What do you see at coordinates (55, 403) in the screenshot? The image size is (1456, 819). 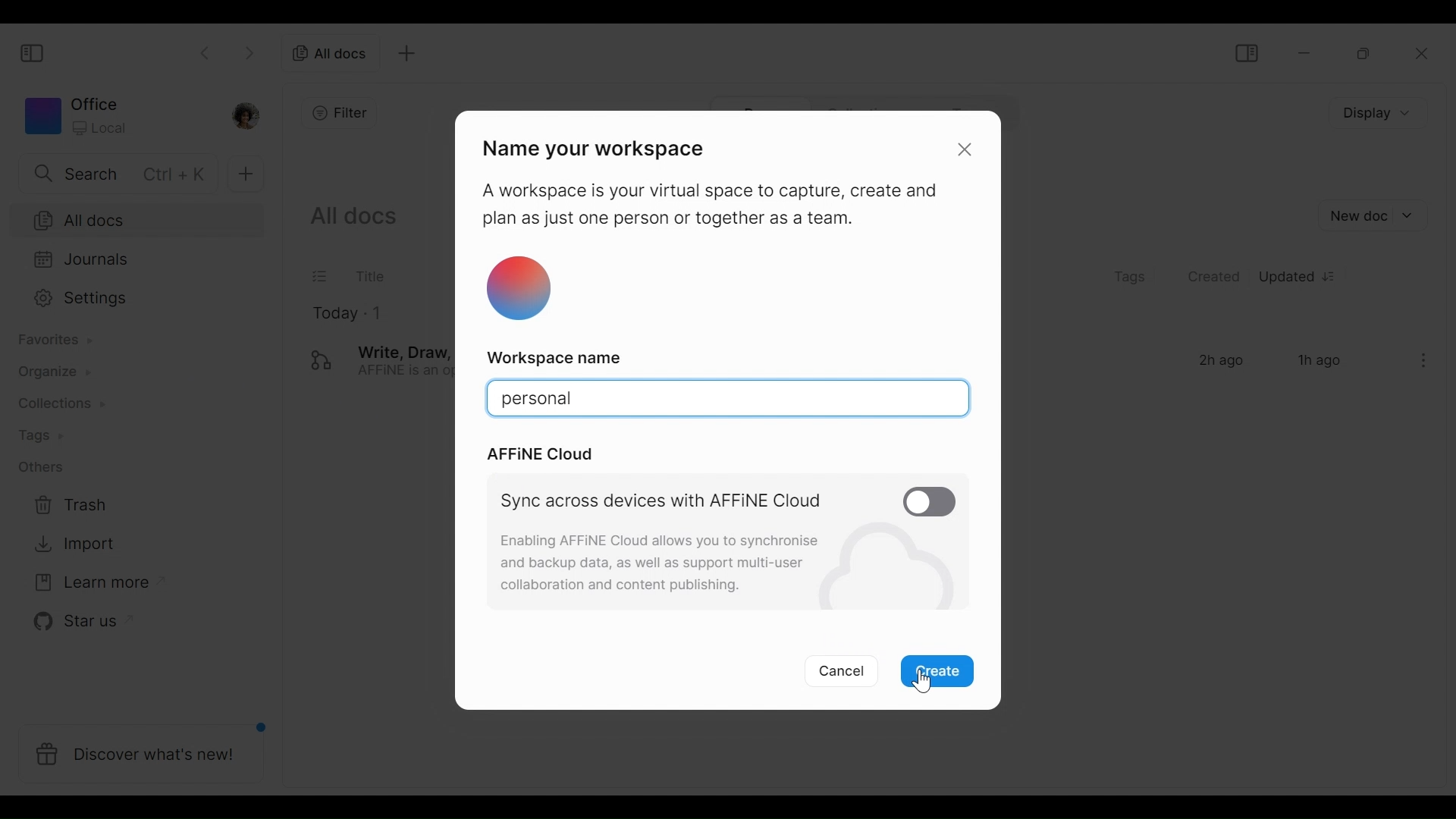 I see `Contributions` at bounding box center [55, 403].